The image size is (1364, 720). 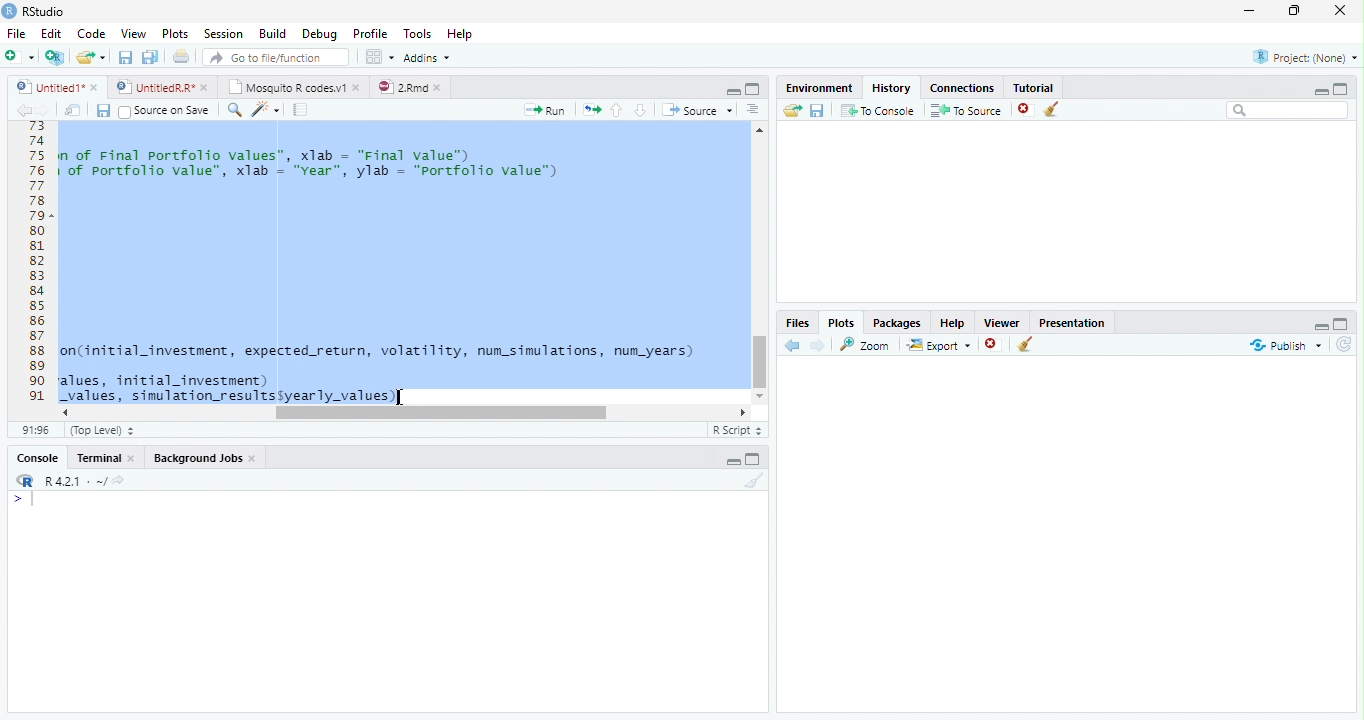 What do you see at coordinates (1026, 346) in the screenshot?
I see `Clear` at bounding box center [1026, 346].